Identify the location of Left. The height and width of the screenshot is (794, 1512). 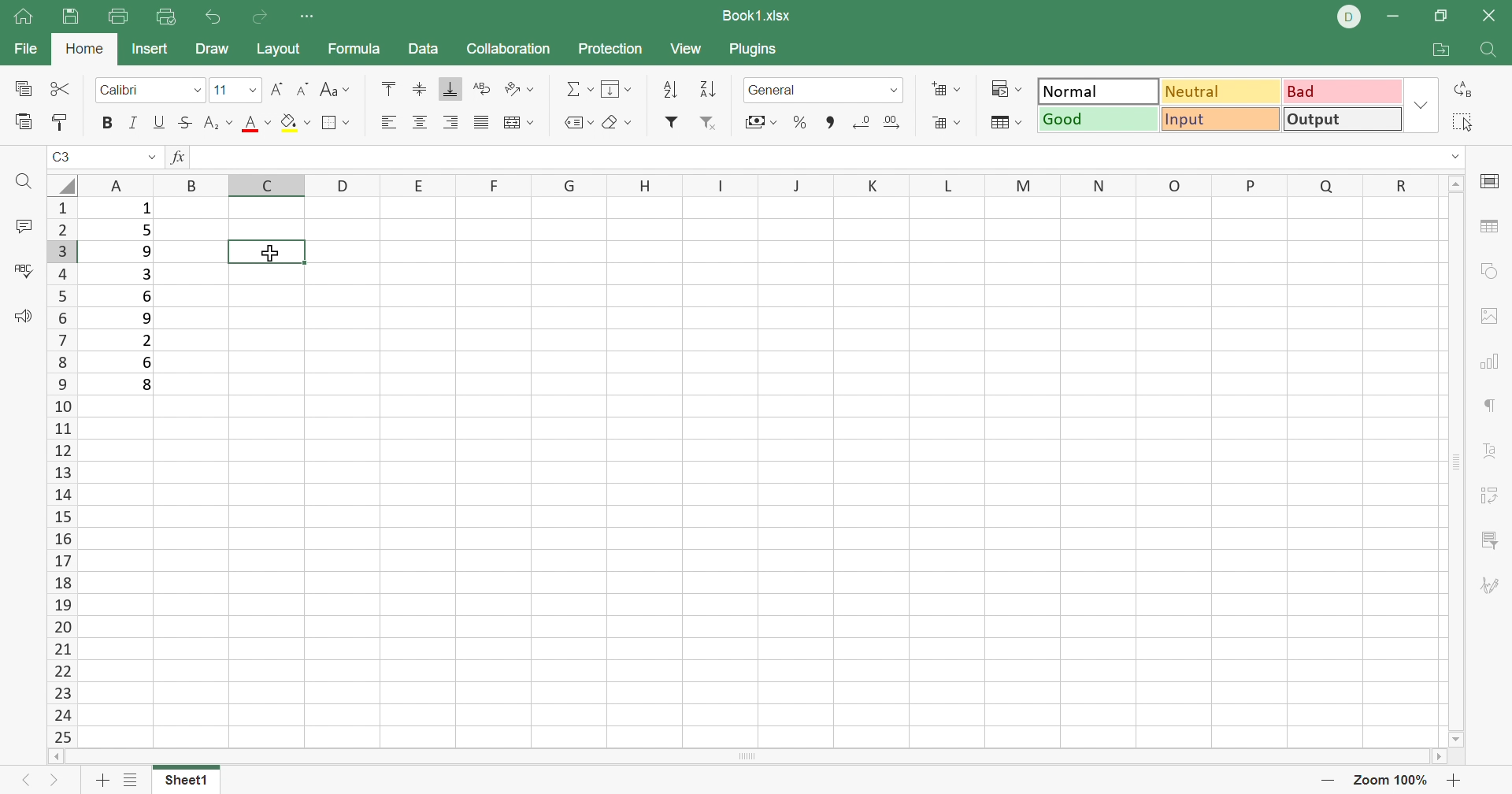
(19, 783).